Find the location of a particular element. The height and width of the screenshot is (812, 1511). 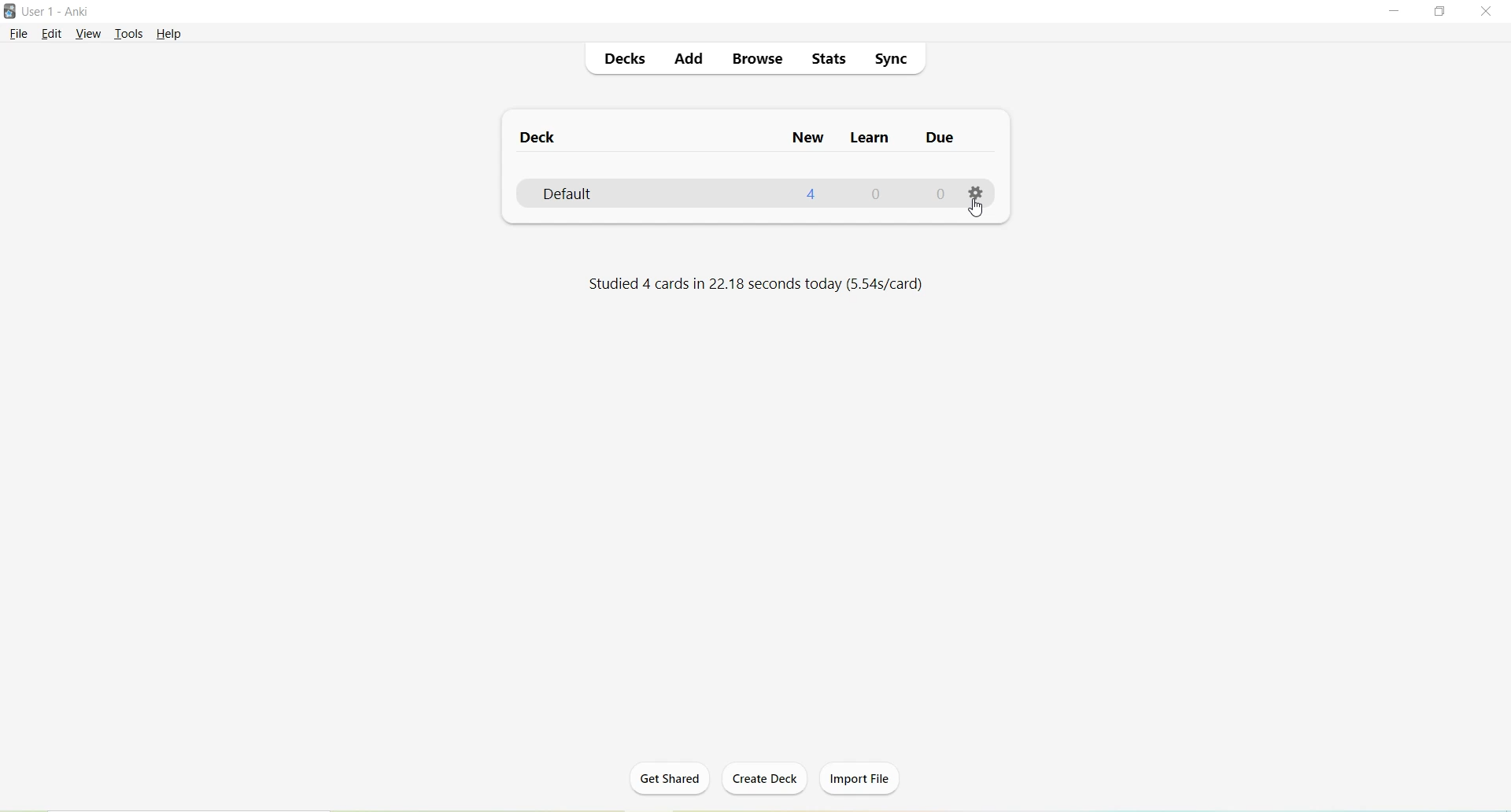

Options is located at coordinates (975, 191).